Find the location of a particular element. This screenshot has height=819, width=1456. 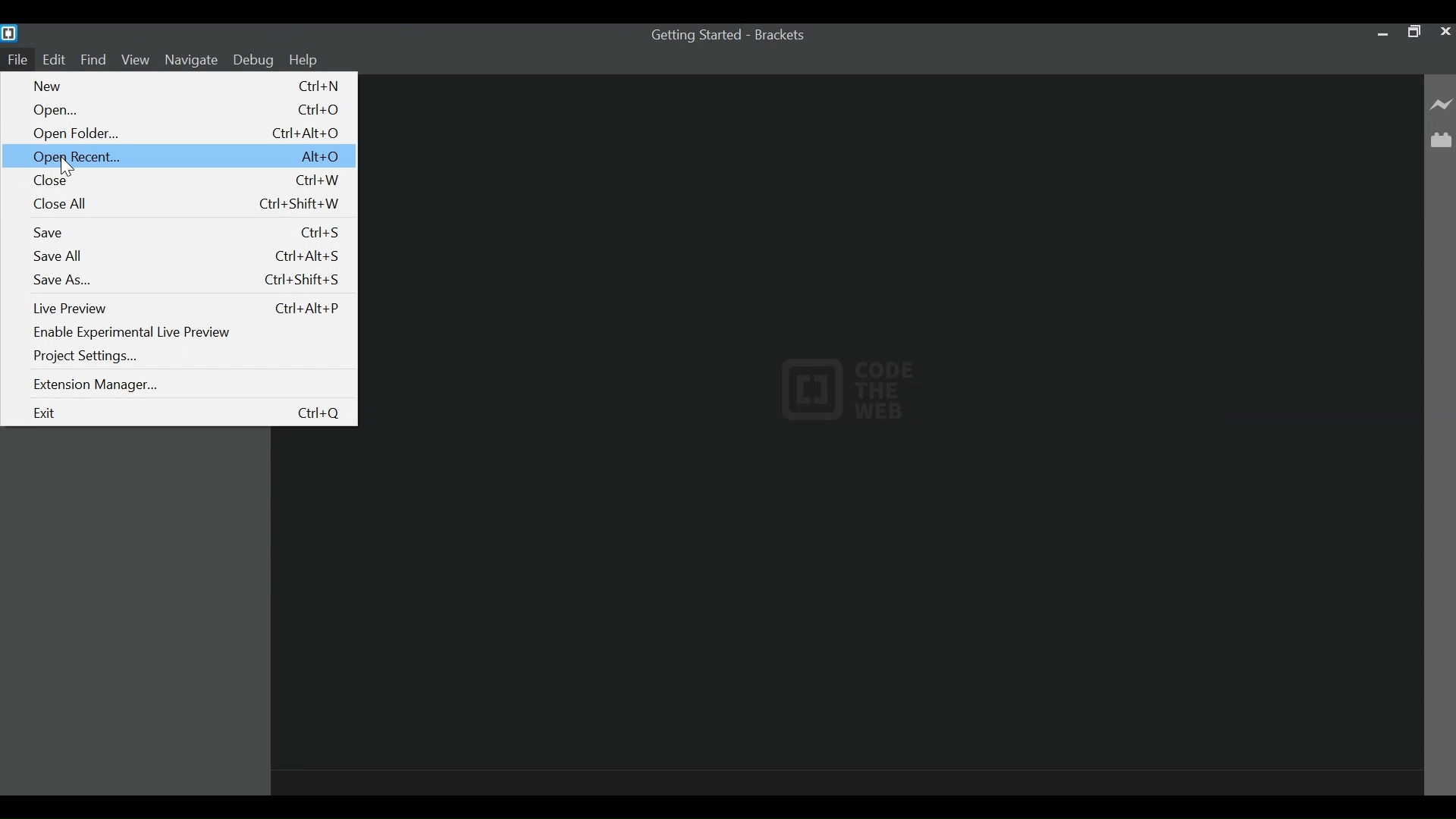

Close is located at coordinates (190, 180).